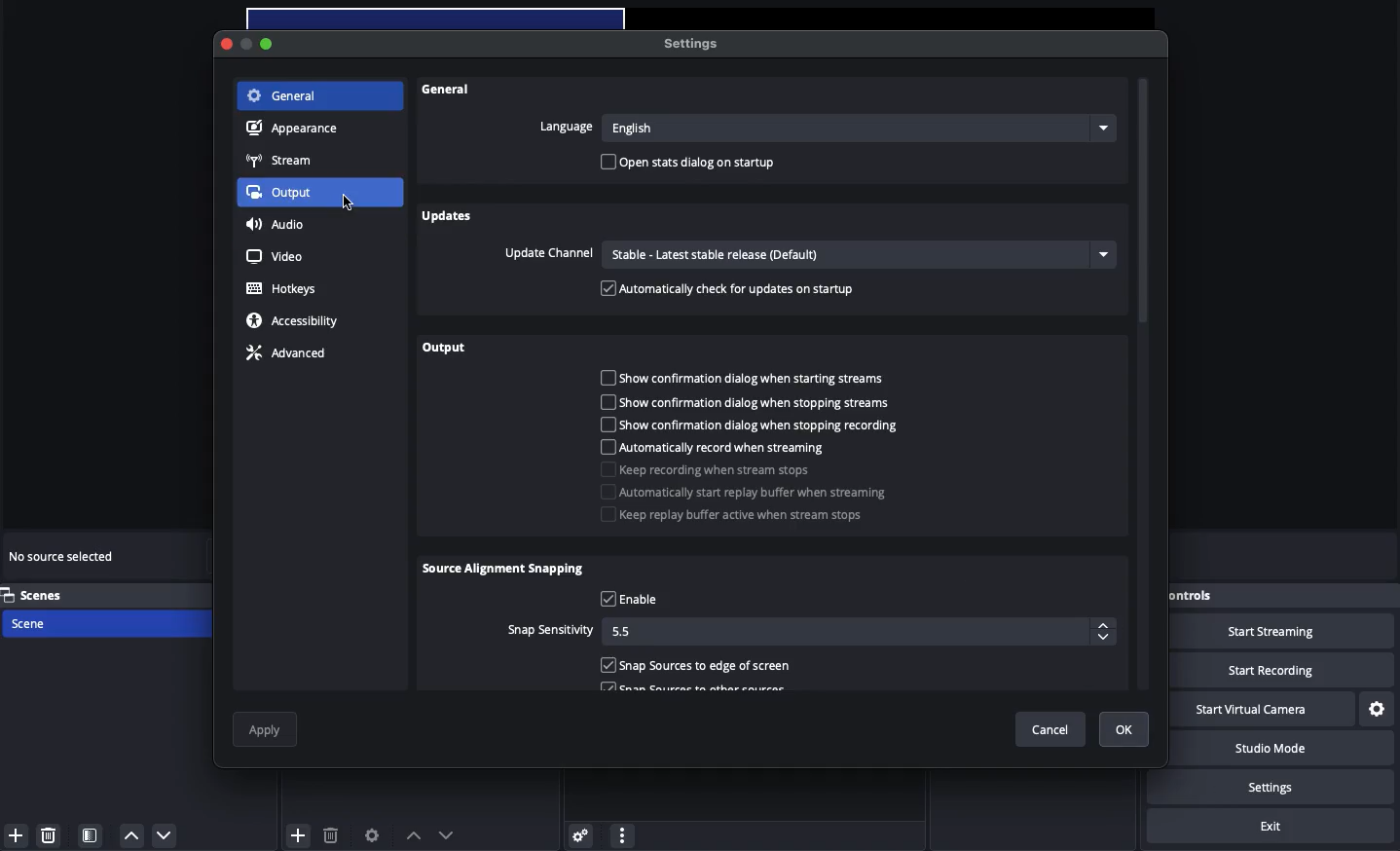 The image size is (1400, 851). Describe the element at coordinates (730, 517) in the screenshot. I see `Keep replay buffer` at that location.